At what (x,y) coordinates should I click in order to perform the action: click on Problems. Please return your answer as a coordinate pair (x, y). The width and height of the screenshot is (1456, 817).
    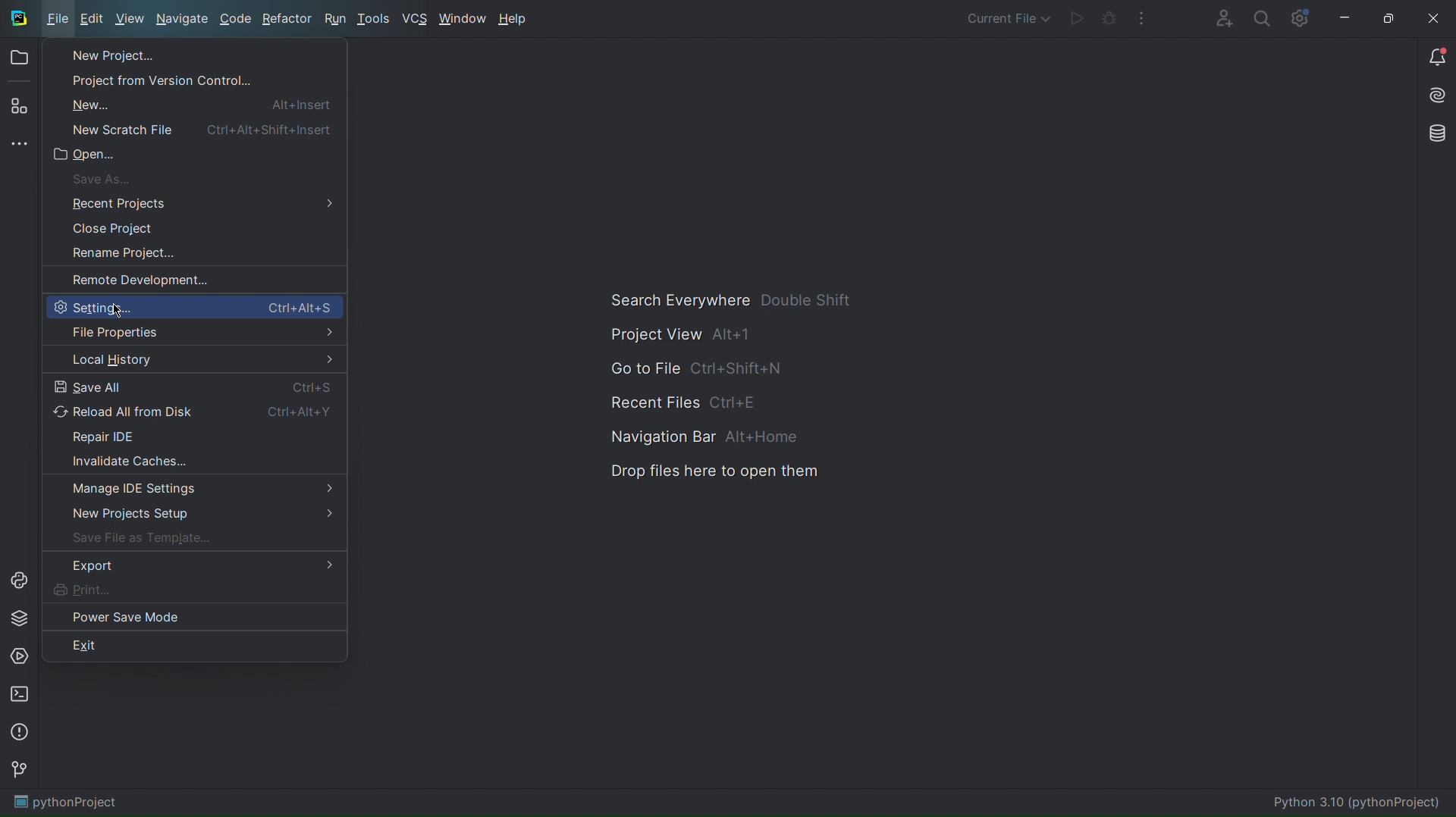
    Looking at the image, I should click on (21, 734).